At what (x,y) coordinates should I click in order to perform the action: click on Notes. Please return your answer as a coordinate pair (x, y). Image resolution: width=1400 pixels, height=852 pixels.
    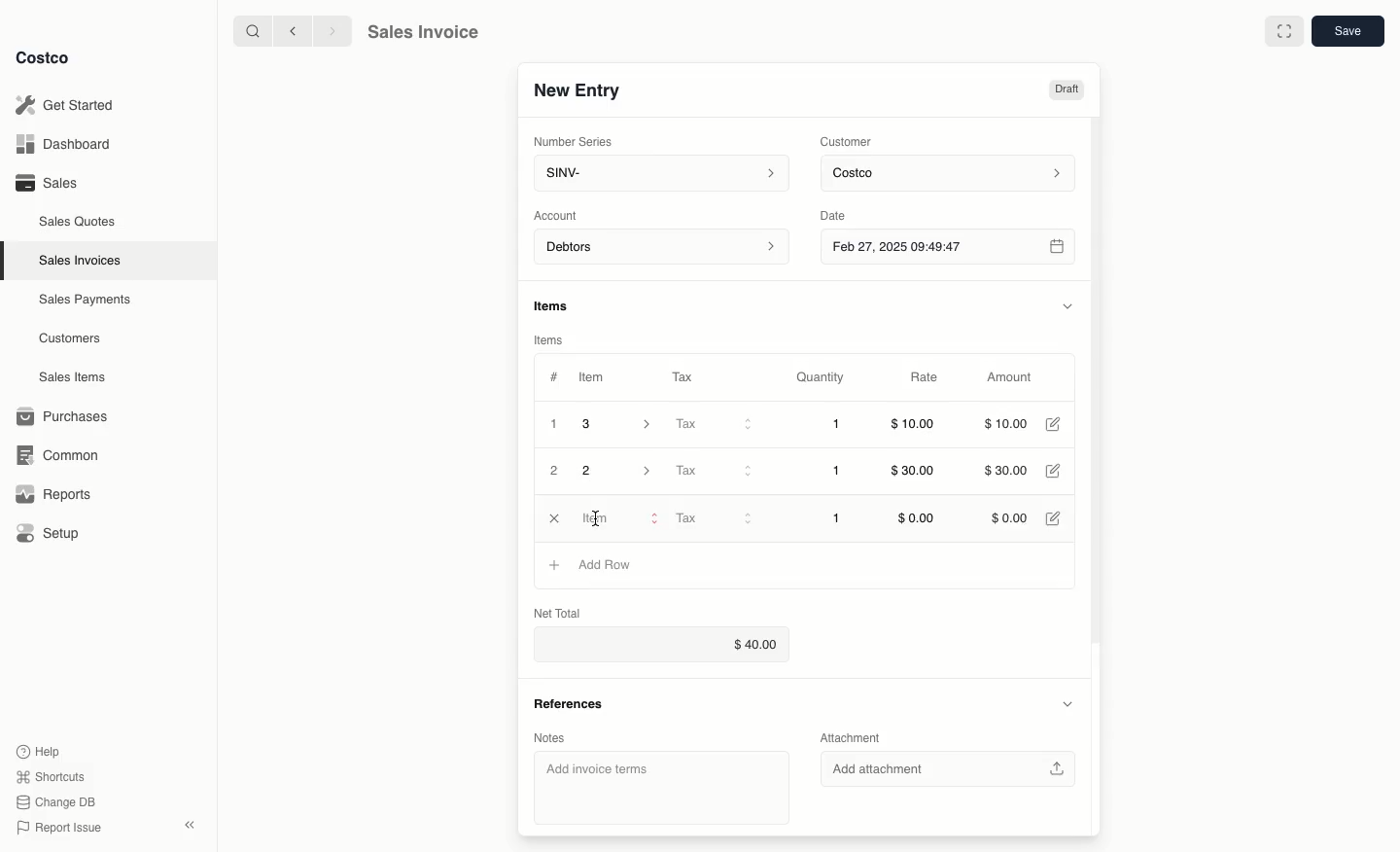
    Looking at the image, I should click on (557, 739).